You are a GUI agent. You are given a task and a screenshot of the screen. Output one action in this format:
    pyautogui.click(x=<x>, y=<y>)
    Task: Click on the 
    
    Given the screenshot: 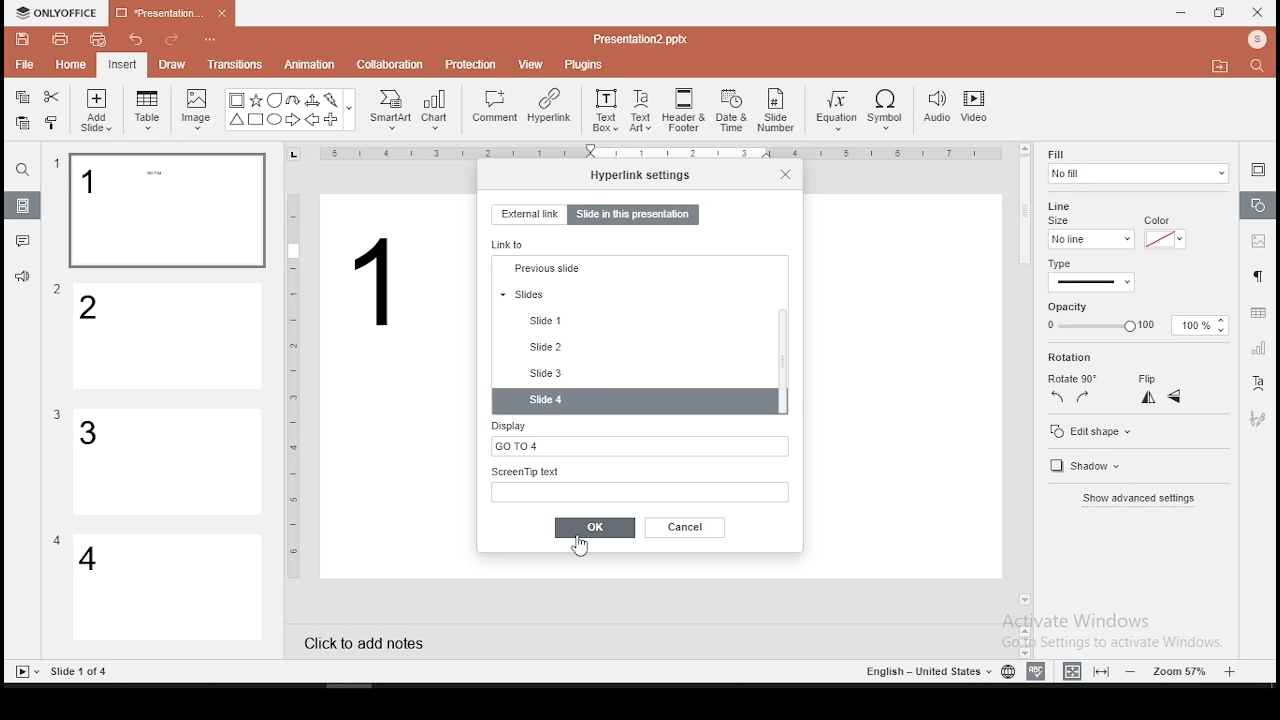 What is the action you would take?
    pyautogui.click(x=640, y=38)
    